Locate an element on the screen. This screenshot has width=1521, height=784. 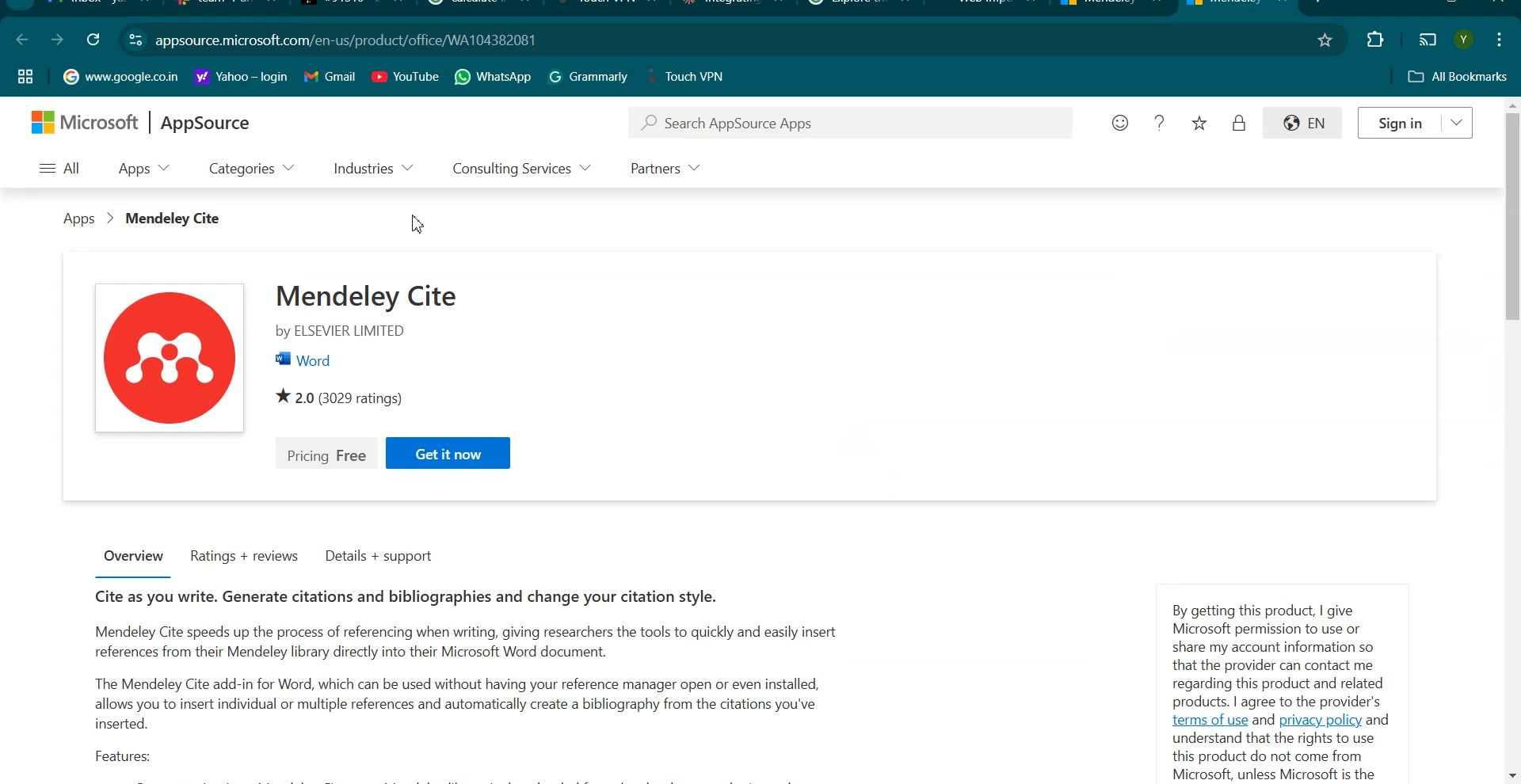
Pricing Free is located at coordinates (326, 454).